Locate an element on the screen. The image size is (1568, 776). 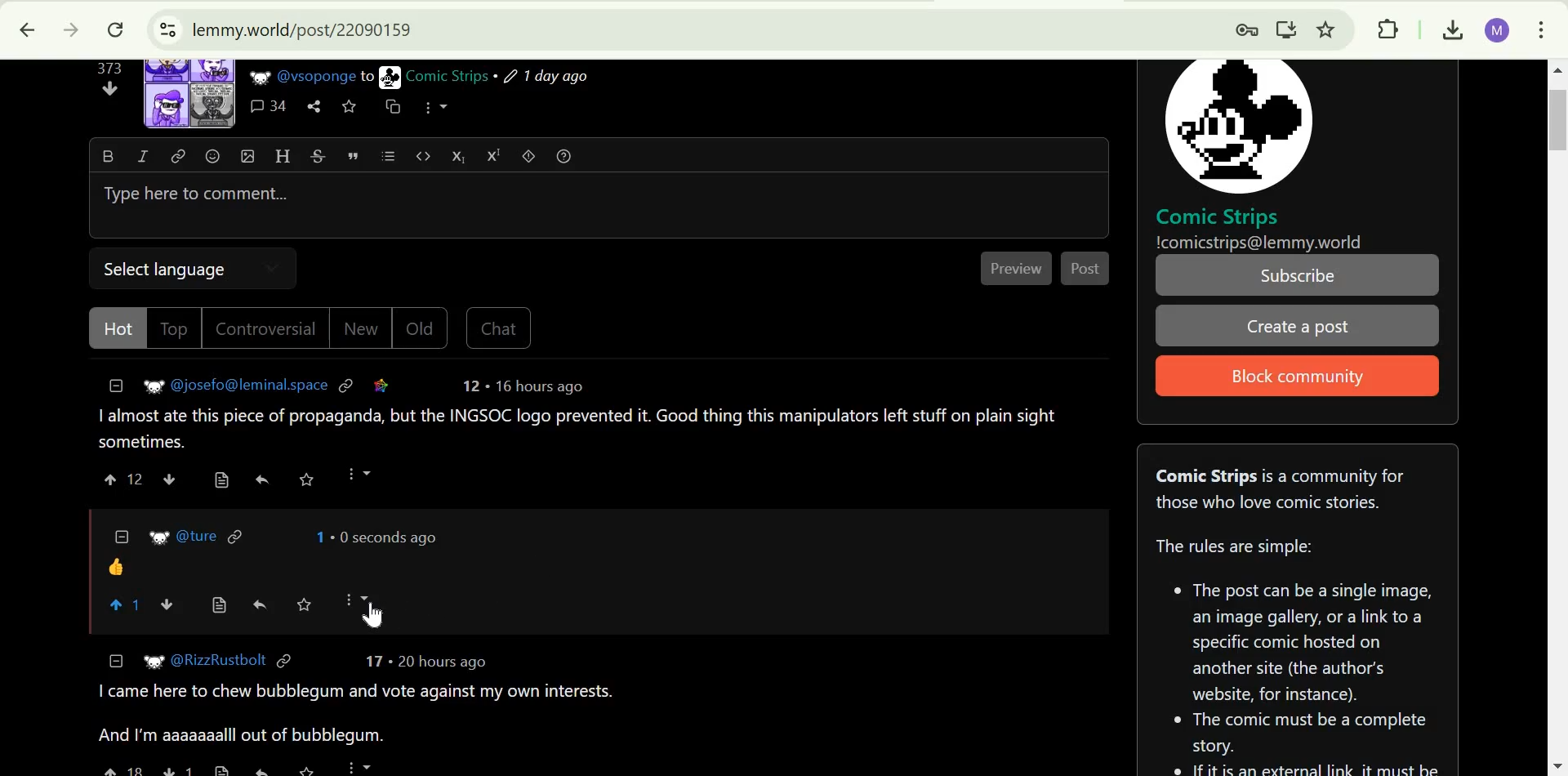
save is located at coordinates (312, 769).